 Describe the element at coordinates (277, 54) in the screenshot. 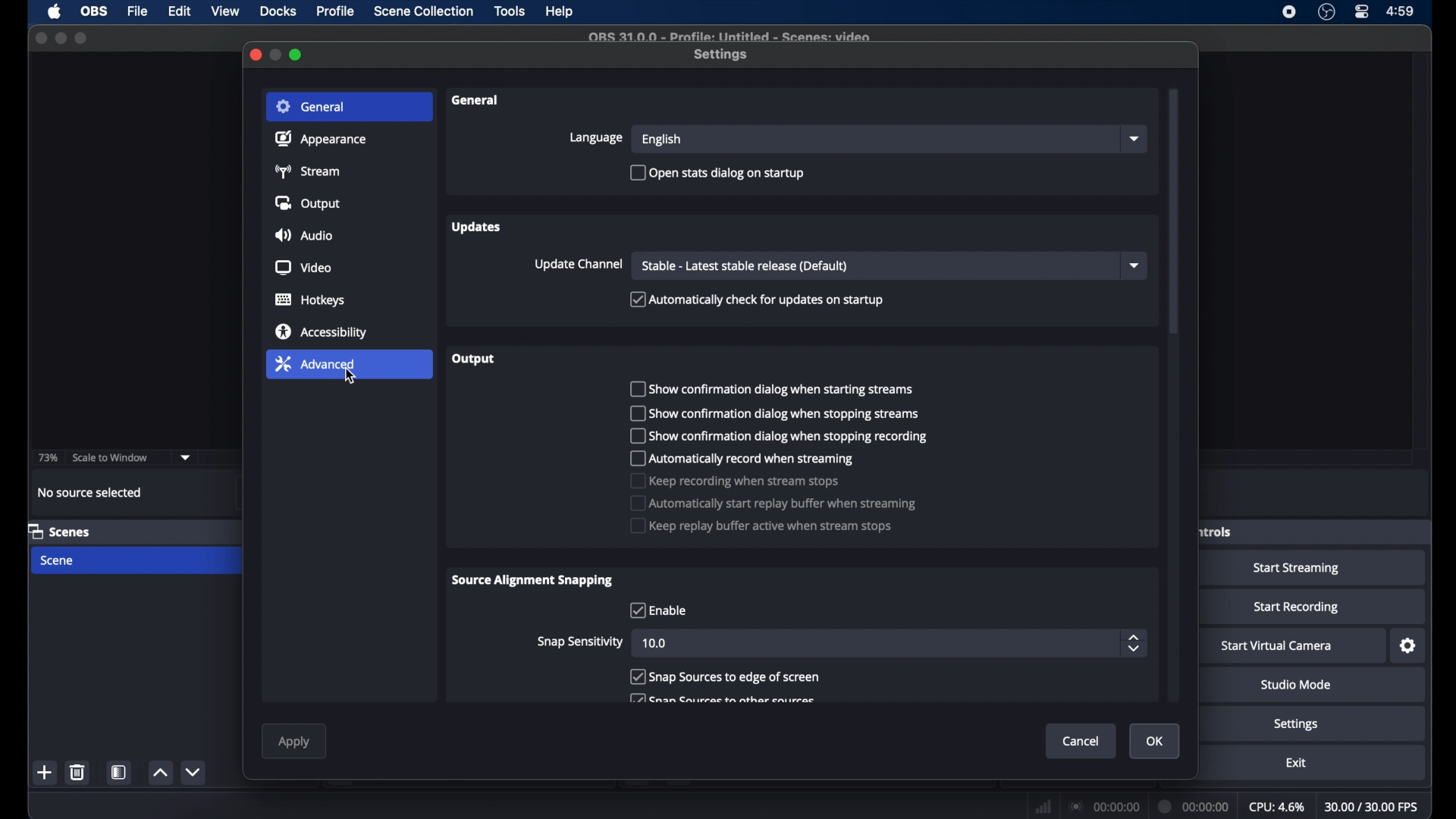

I see `minimize` at that location.